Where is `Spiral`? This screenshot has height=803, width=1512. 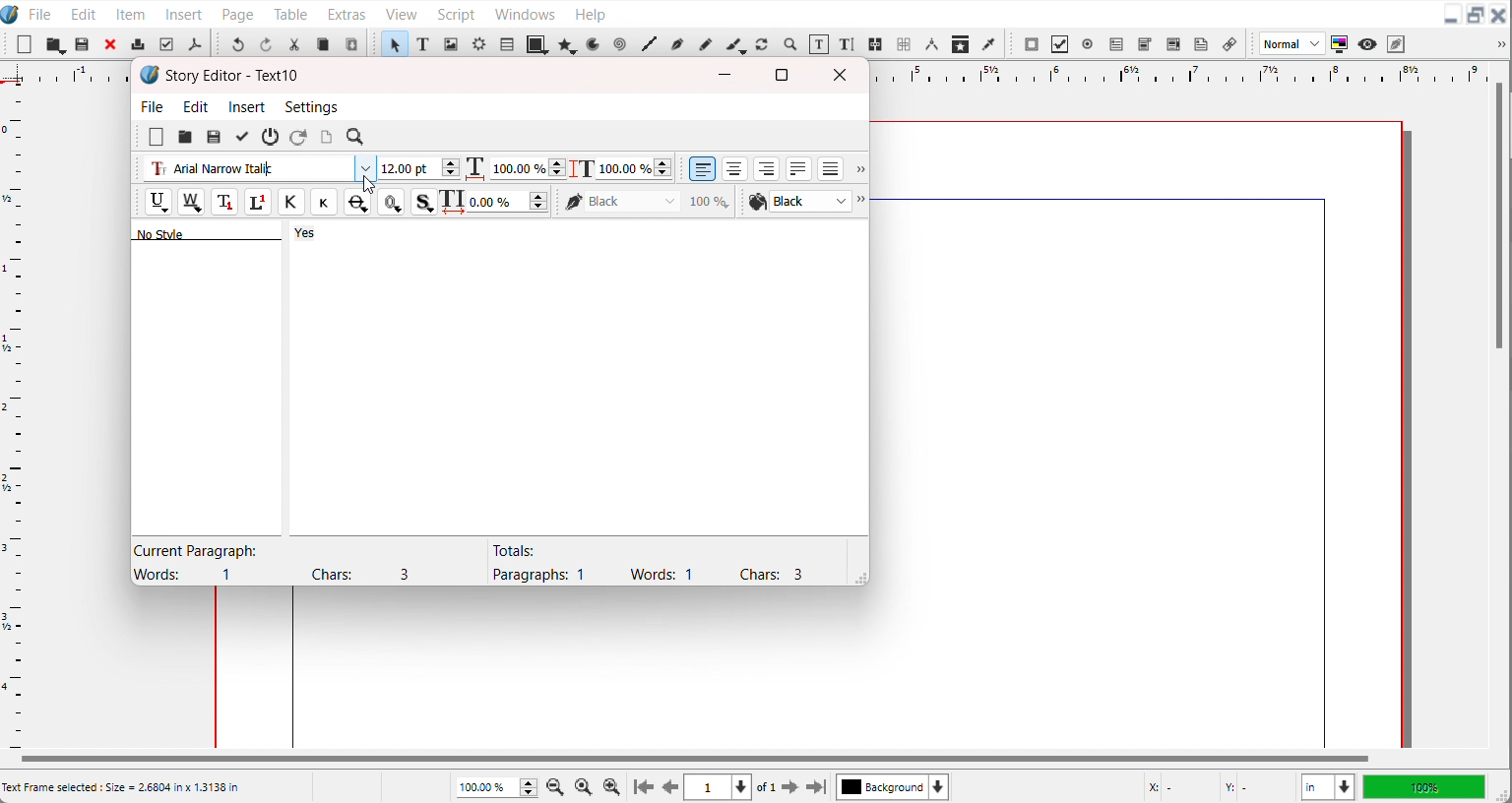 Spiral is located at coordinates (618, 44).